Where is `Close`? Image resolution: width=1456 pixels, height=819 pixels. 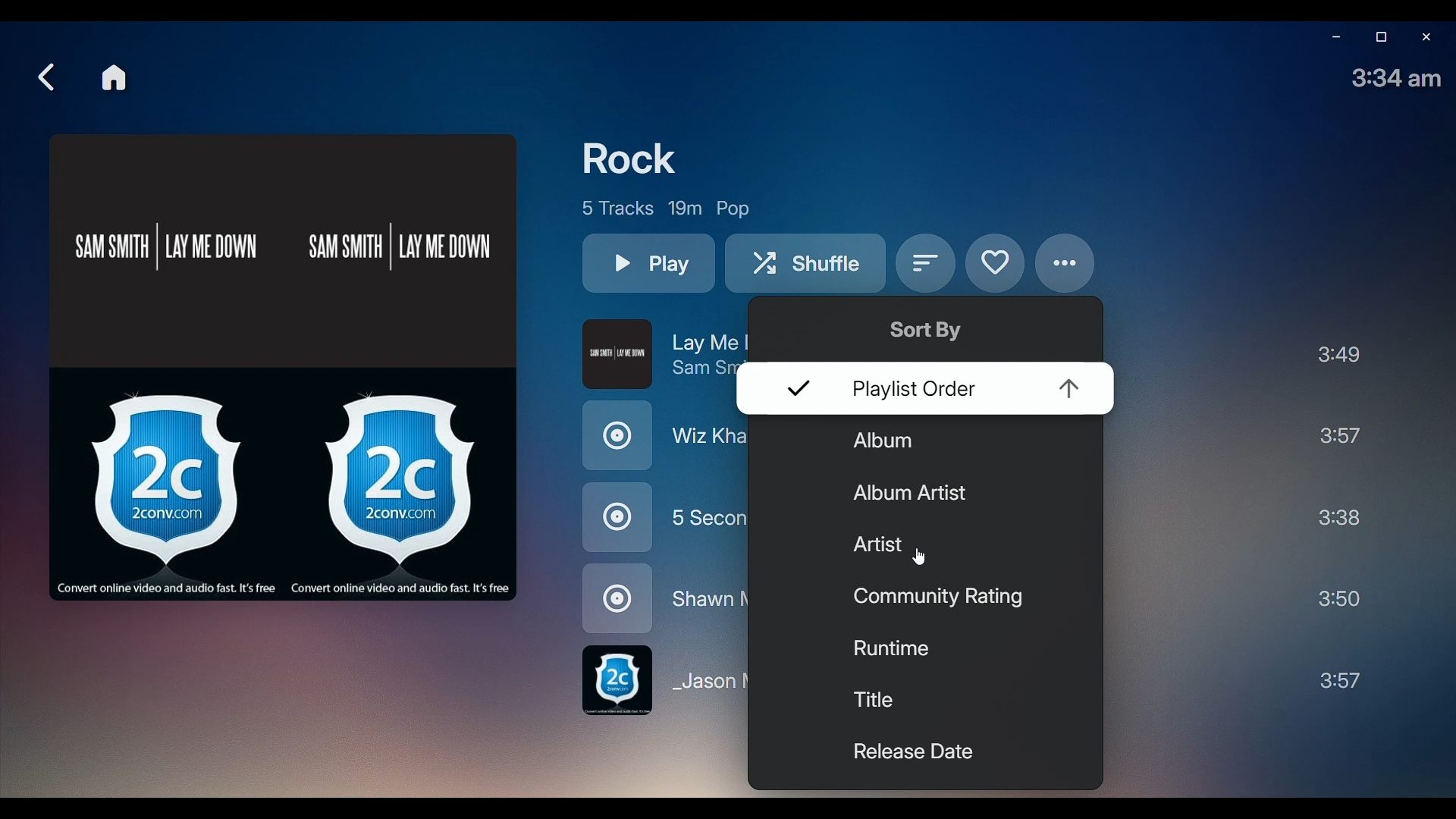 Close is located at coordinates (1426, 38).